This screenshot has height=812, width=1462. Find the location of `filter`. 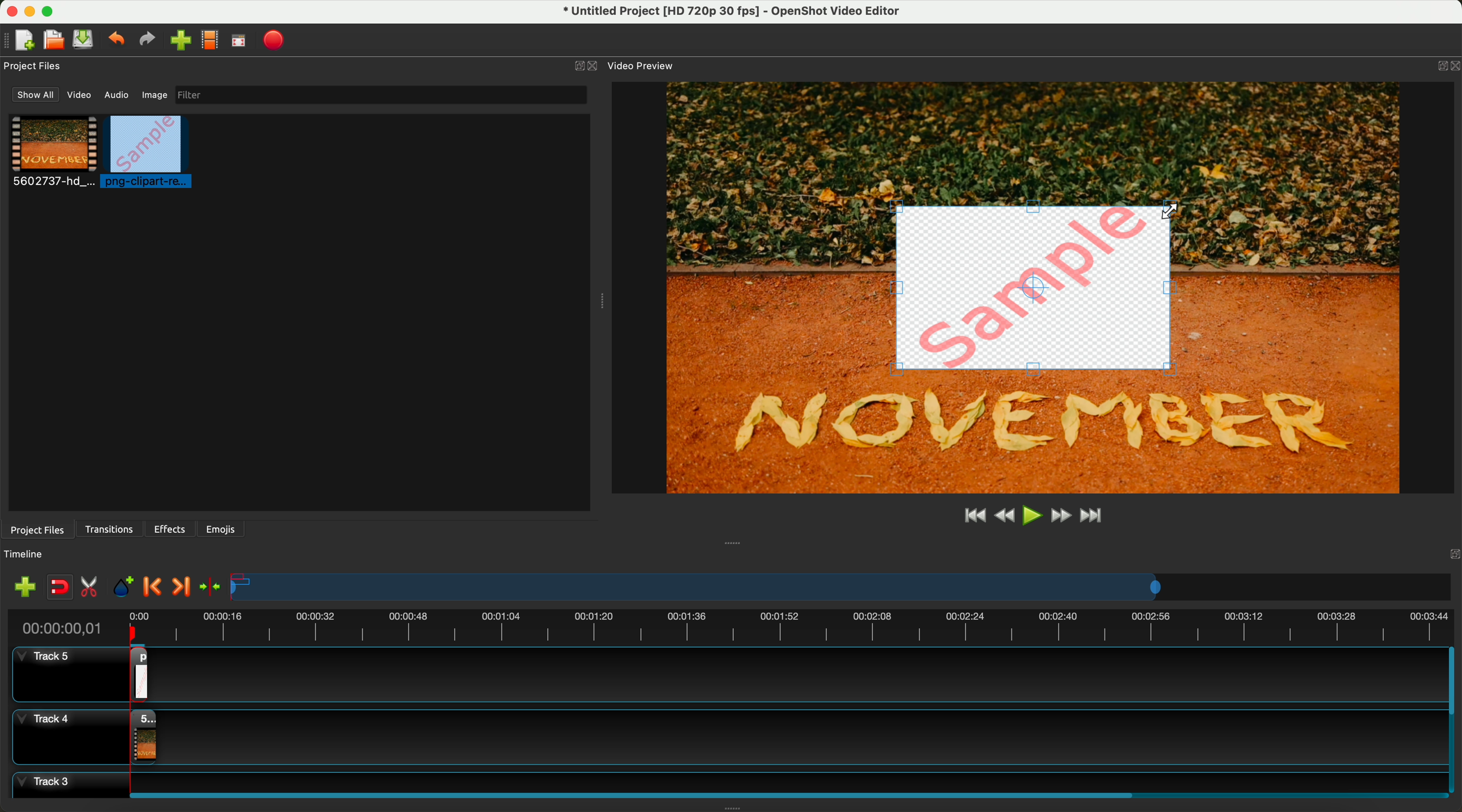

filter is located at coordinates (378, 95).